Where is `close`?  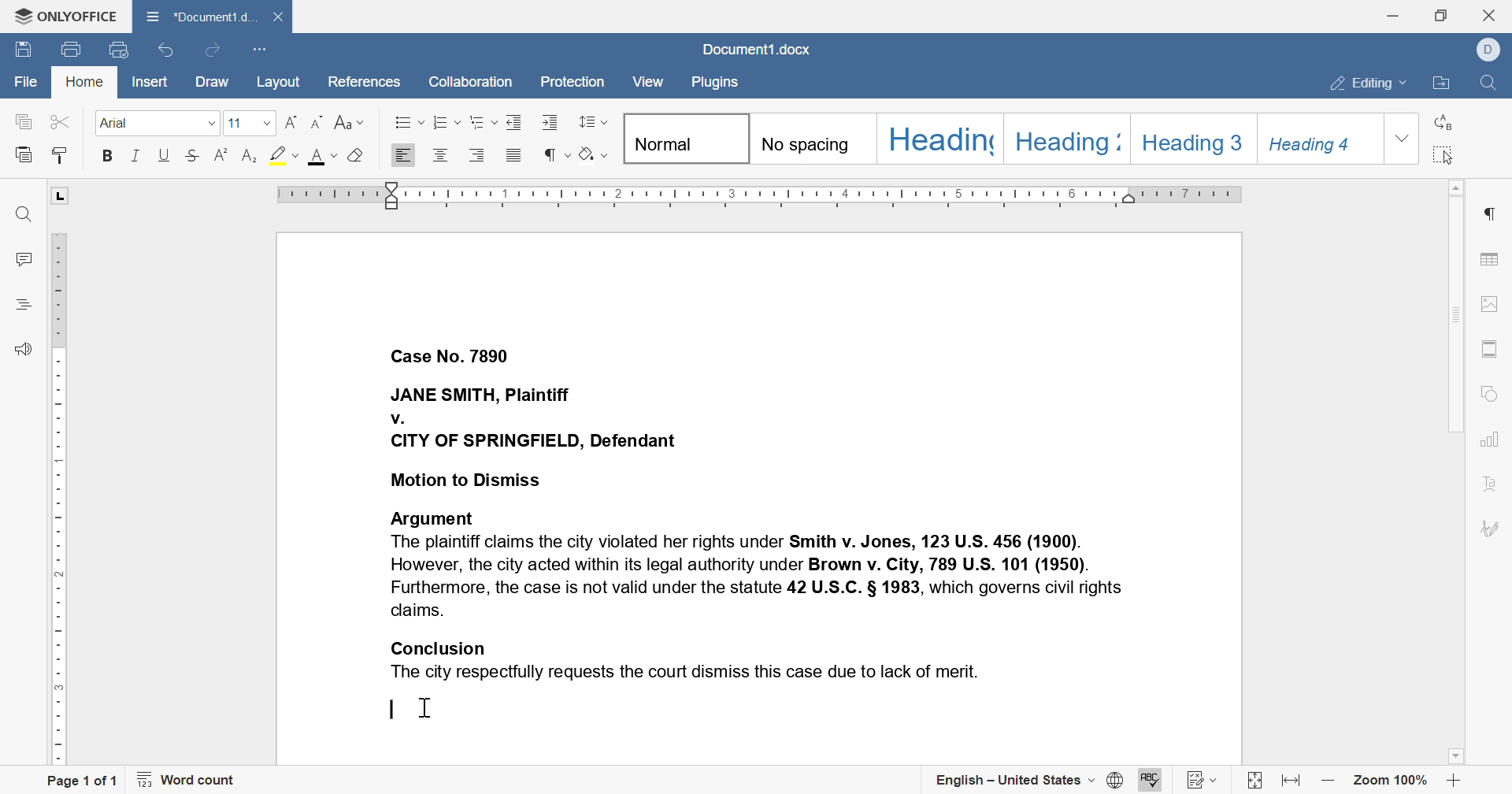
close is located at coordinates (1488, 14).